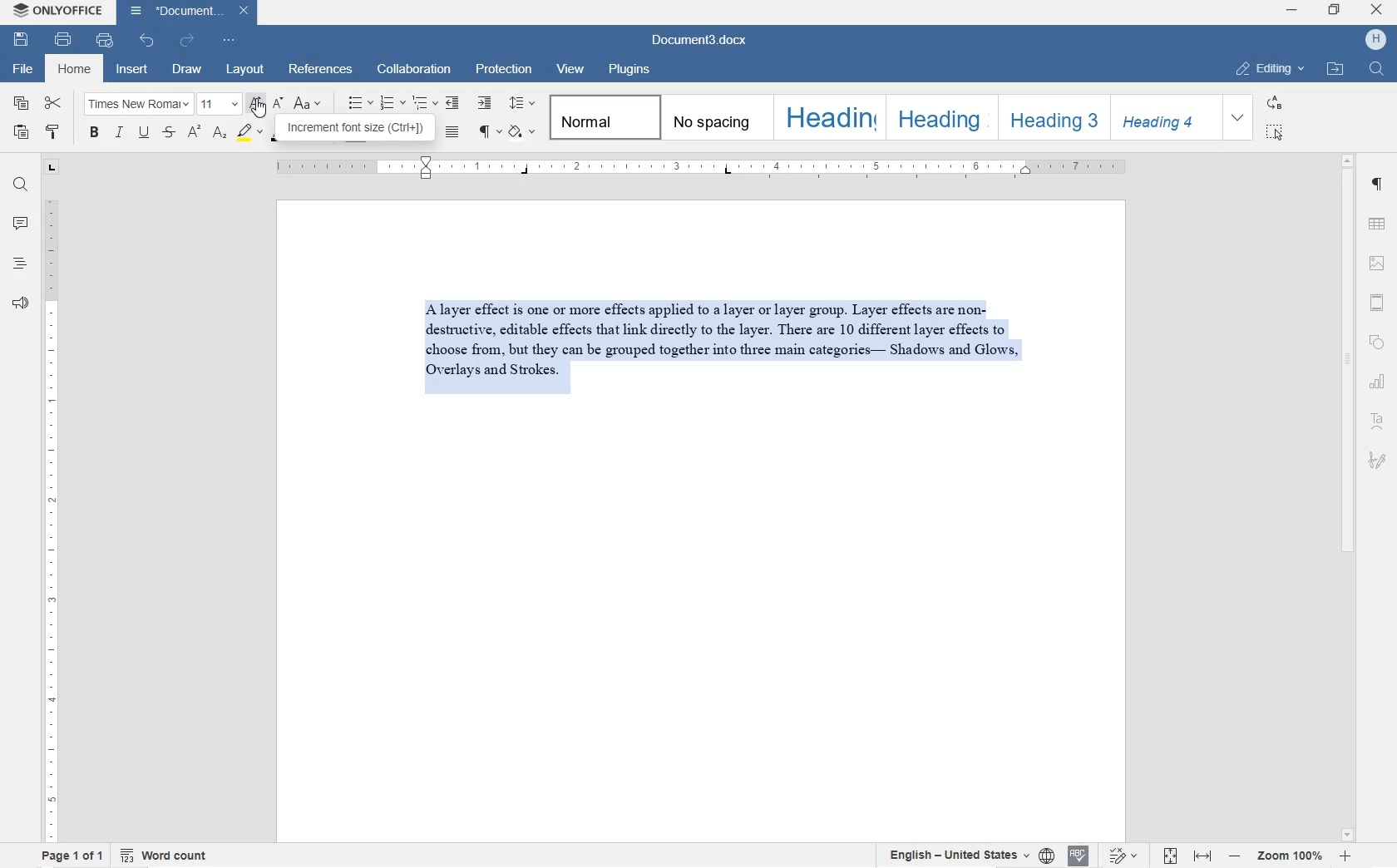 Image resolution: width=1397 pixels, height=868 pixels. I want to click on MINIMIZE, so click(1291, 11).